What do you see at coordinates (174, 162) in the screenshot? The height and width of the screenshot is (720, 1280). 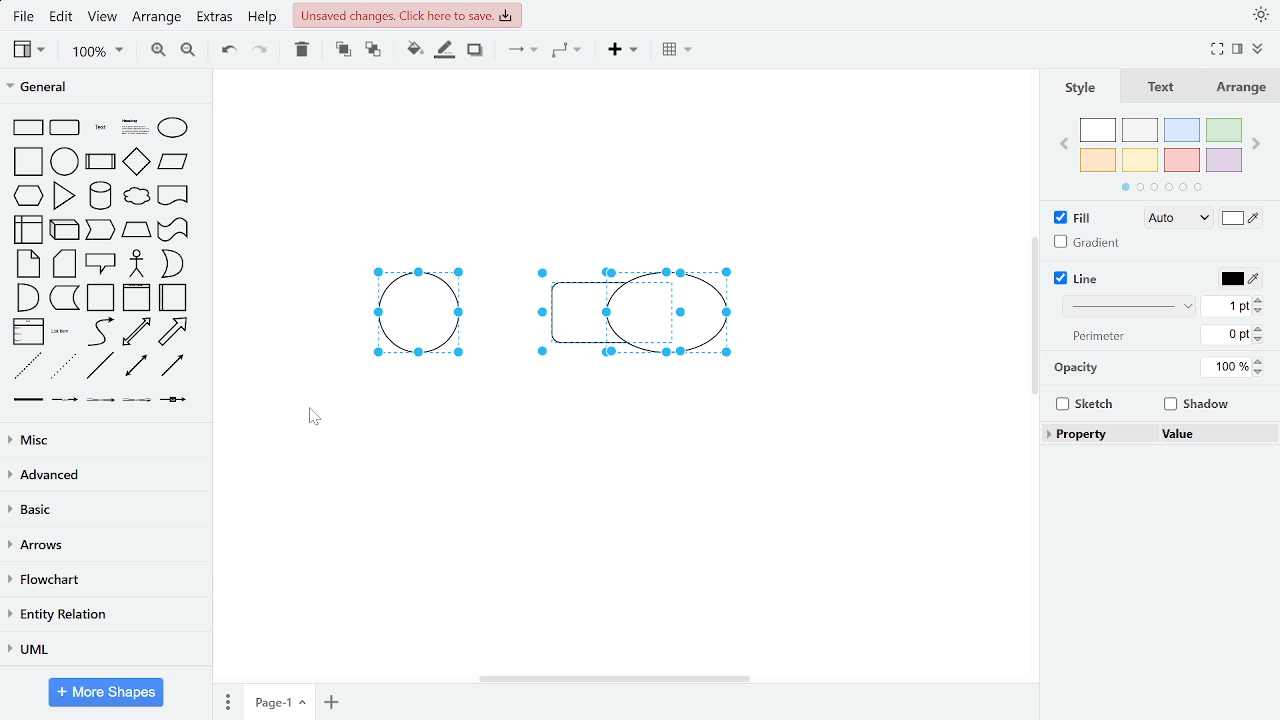 I see `parallelgram` at bounding box center [174, 162].